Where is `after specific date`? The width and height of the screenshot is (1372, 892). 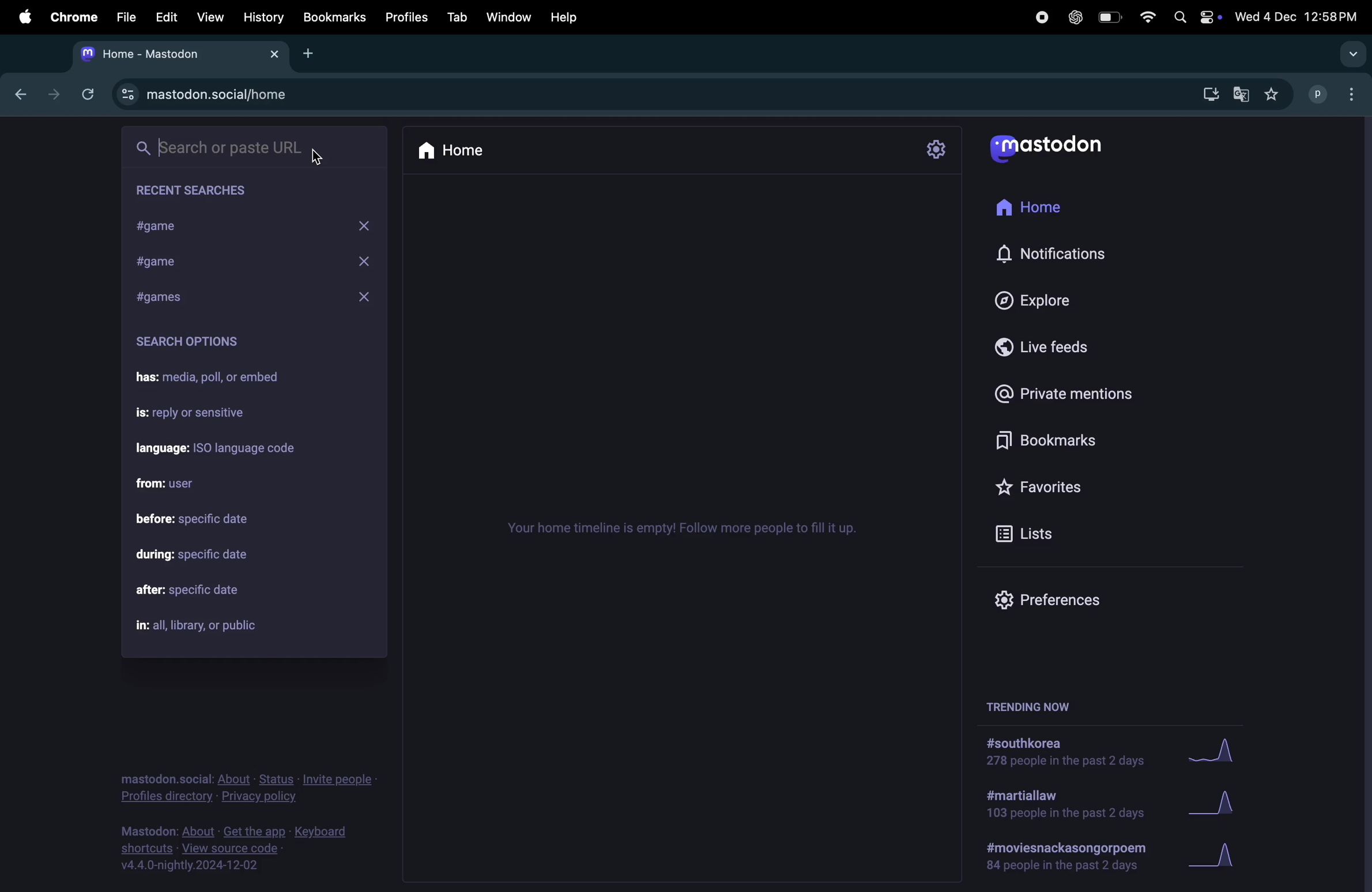 after specific date is located at coordinates (206, 592).